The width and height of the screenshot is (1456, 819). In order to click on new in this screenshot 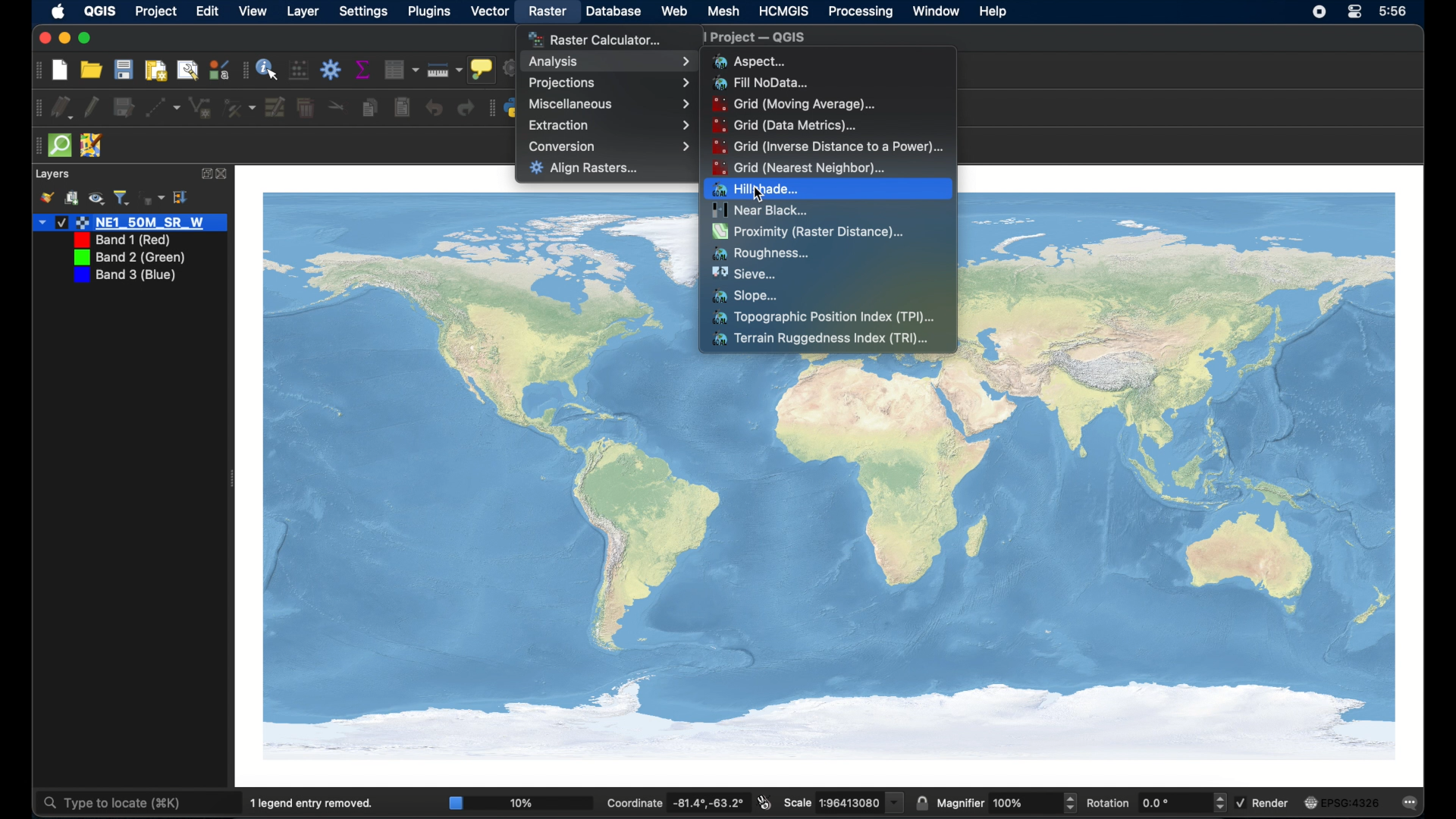, I will do `click(59, 69)`.